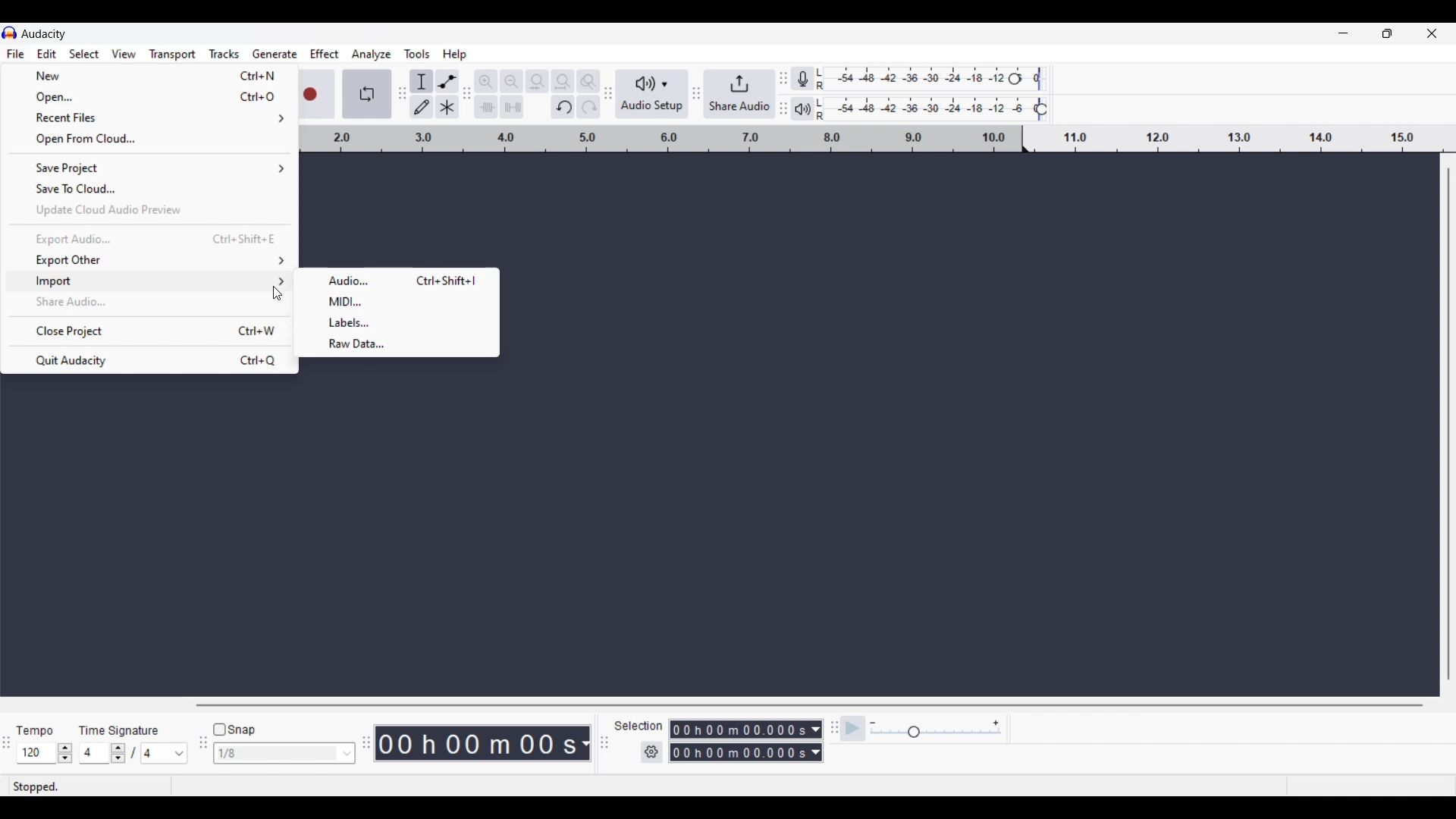 Image resolution: width=1456 pixels, height=819 pixels. What do you see at coordinates (318, 94) in the screenshot?
I see `Record/Record new track` at bounding box center [318, 94].